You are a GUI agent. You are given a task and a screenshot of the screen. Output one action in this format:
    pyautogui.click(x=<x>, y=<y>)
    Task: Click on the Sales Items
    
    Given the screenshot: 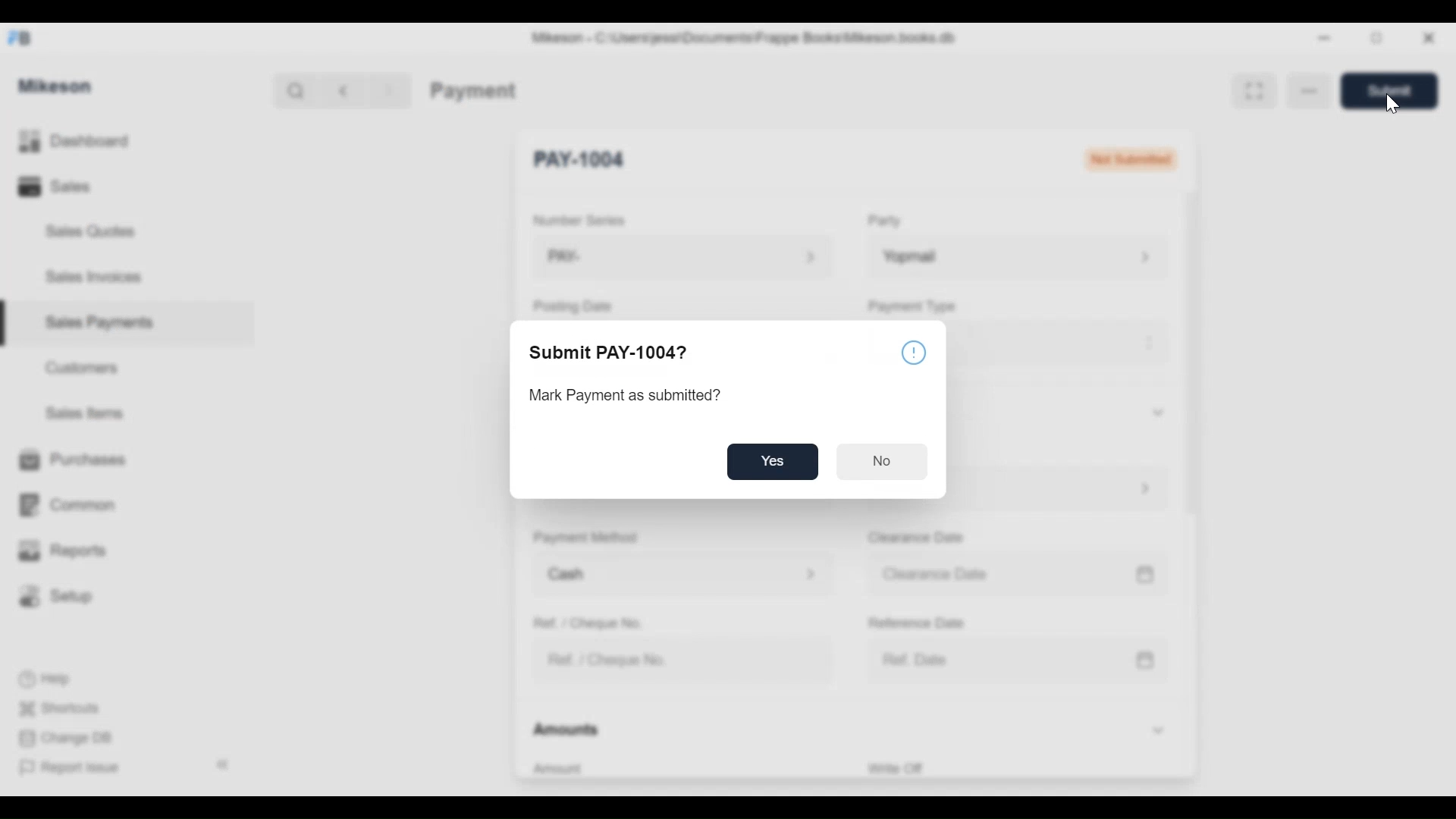 What is the action you would take?
    pyautogui.click(x=92, y=414)
    